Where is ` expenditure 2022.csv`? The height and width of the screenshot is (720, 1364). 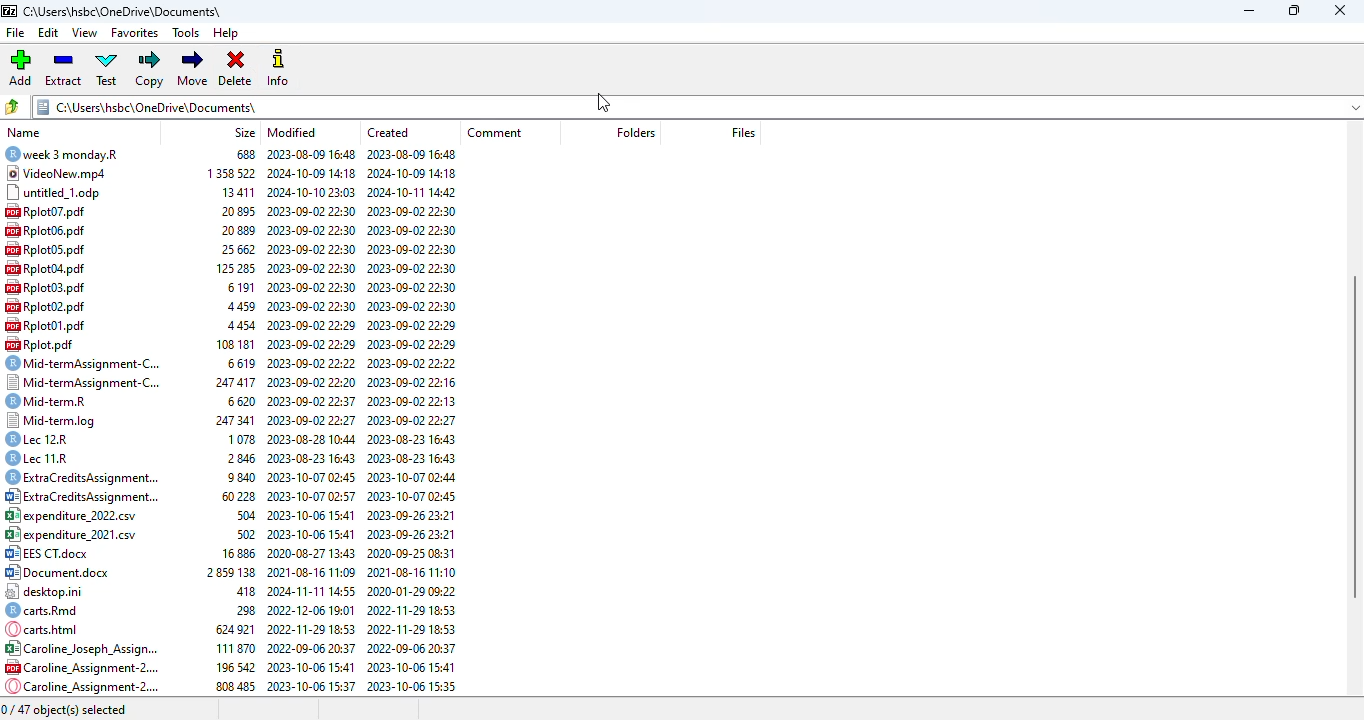
 expenditure 2022.csv is located at coordinates (81, 518).